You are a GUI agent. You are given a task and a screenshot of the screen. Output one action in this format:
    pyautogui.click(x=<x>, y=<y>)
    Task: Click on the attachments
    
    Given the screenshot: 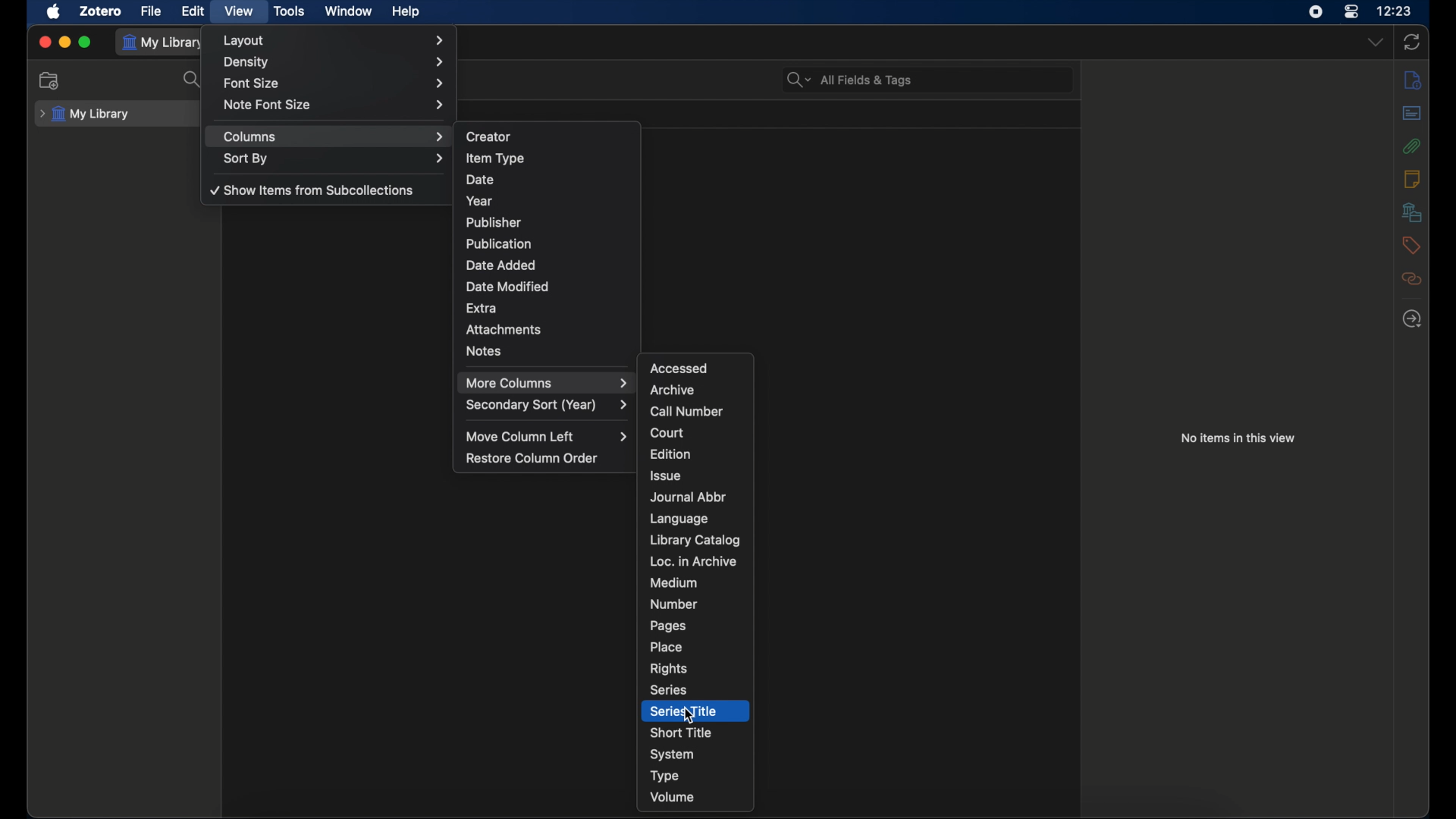 What is the action you would take?
    pyautogui.click(x=505, y=329)
    